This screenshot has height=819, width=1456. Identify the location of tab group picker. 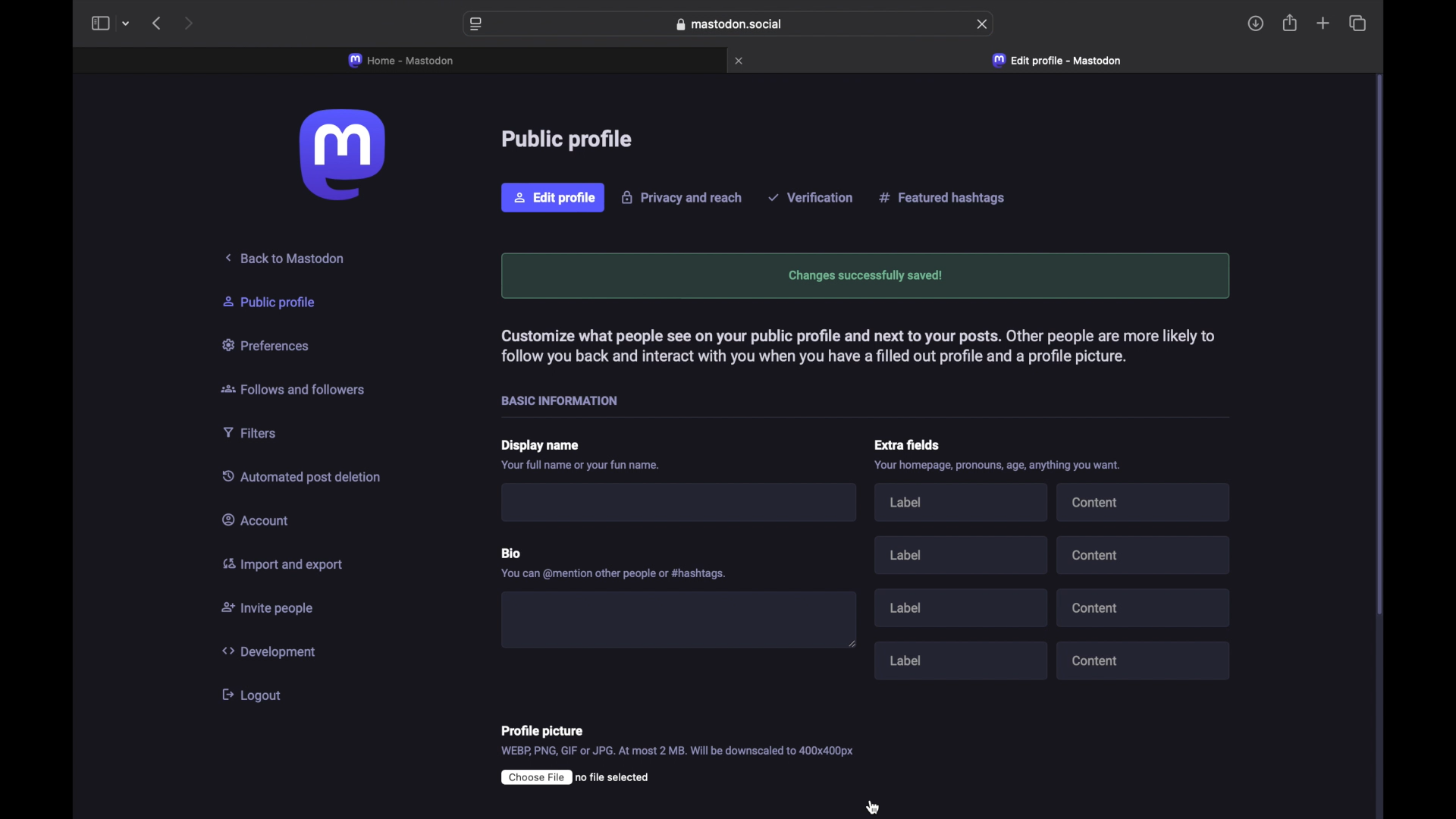
(126, 24).